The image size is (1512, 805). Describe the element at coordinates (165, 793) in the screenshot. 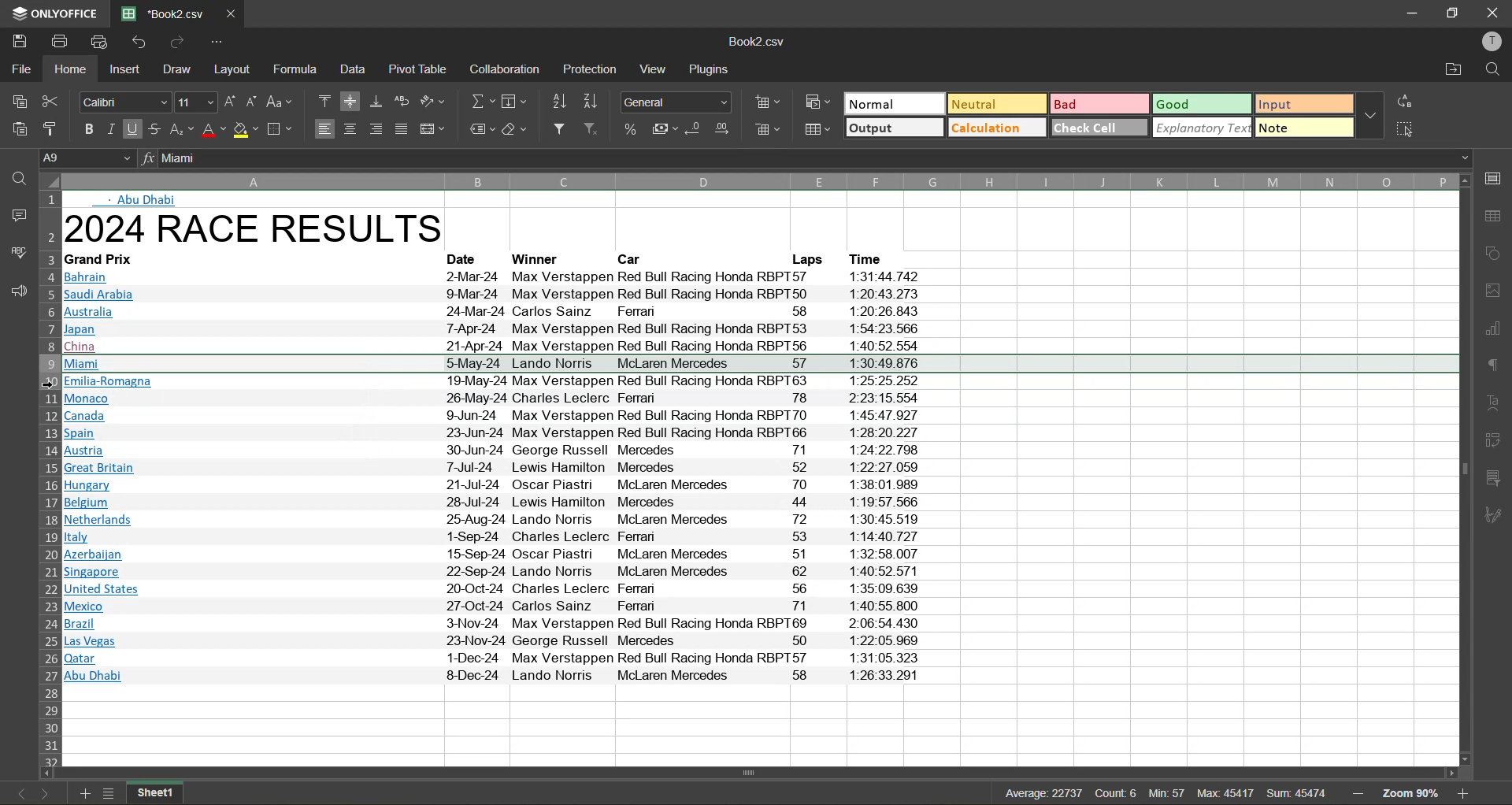

I see `sheet name: sheet1` at that location.